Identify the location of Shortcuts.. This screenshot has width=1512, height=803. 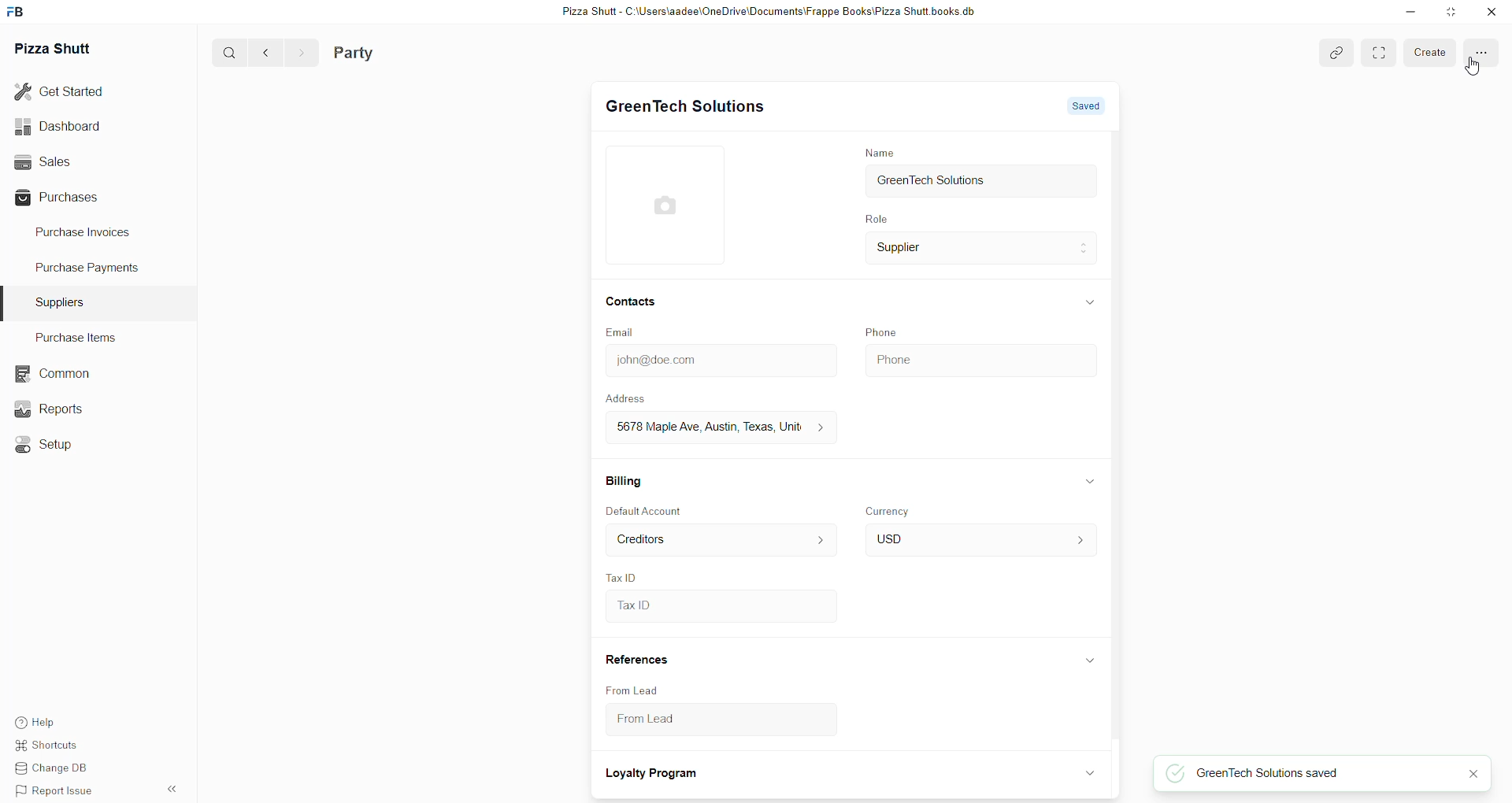
(57, 748).